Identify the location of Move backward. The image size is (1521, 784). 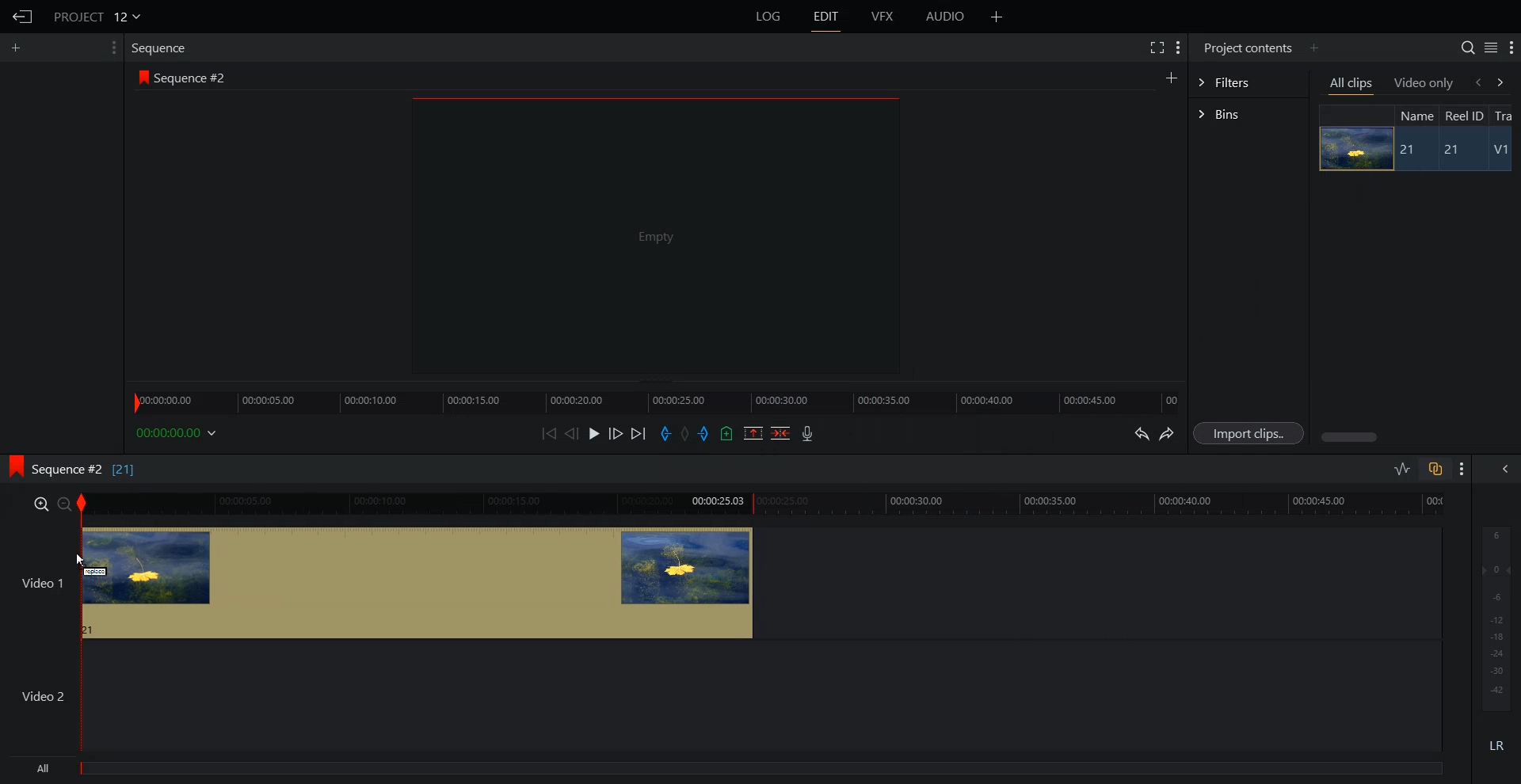
(551, 433).